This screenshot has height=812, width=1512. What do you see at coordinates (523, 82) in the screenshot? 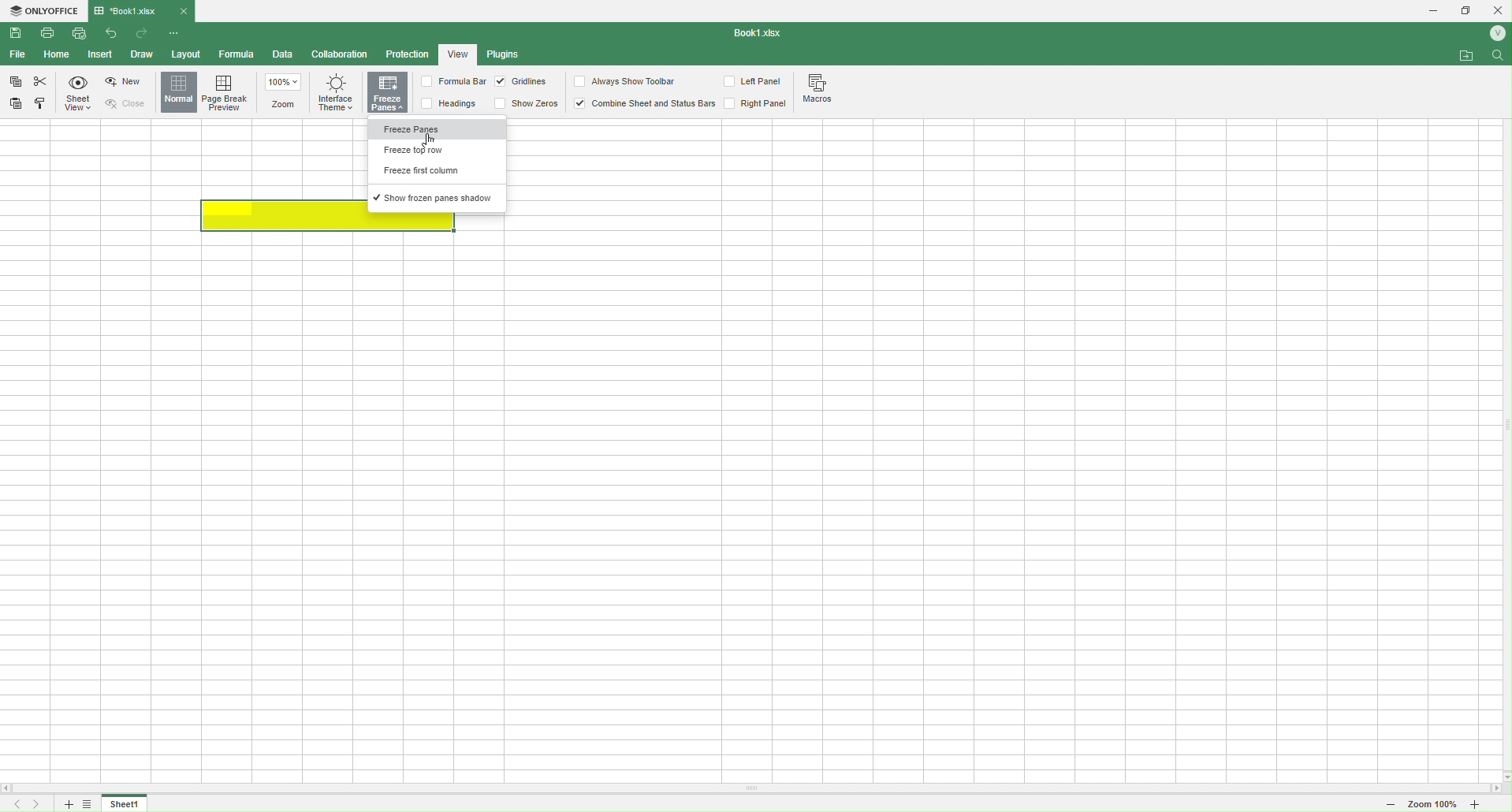
I see `Gridlines` at bounding box center [523, 82].